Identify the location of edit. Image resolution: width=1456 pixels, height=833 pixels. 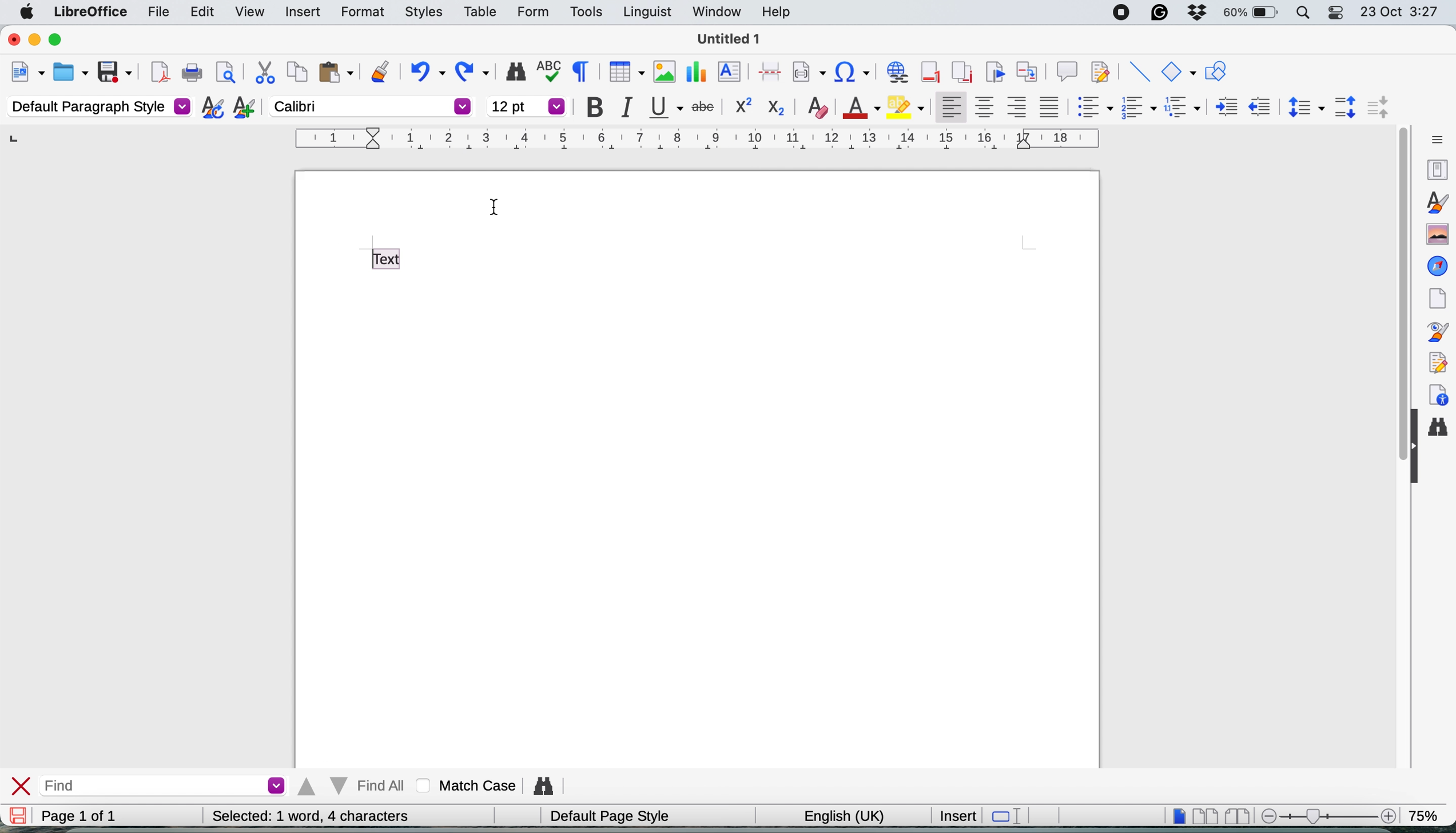
(202, 12).